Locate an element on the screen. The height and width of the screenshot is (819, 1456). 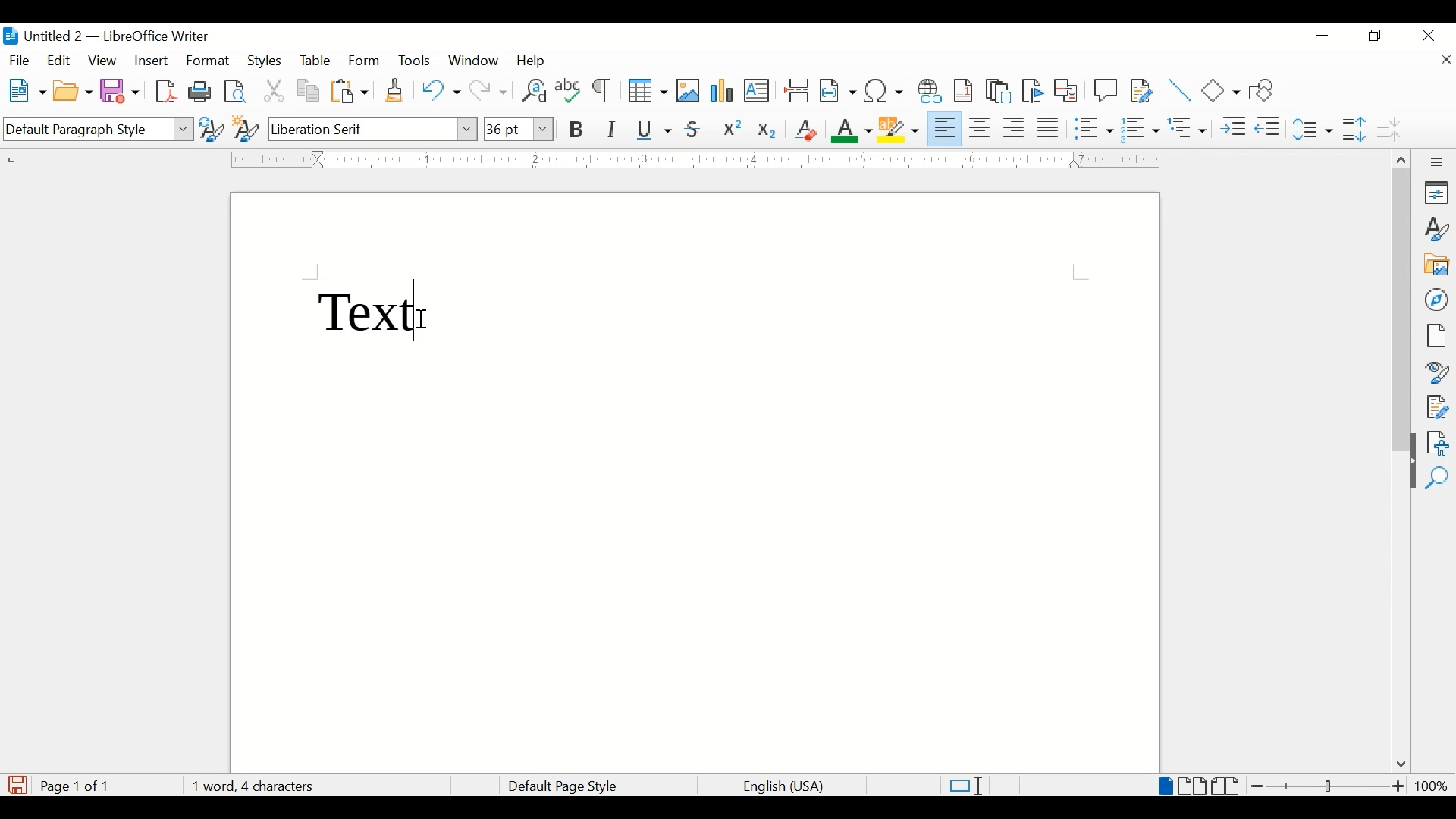
toggle print preview is located at coordinates (237, 91).